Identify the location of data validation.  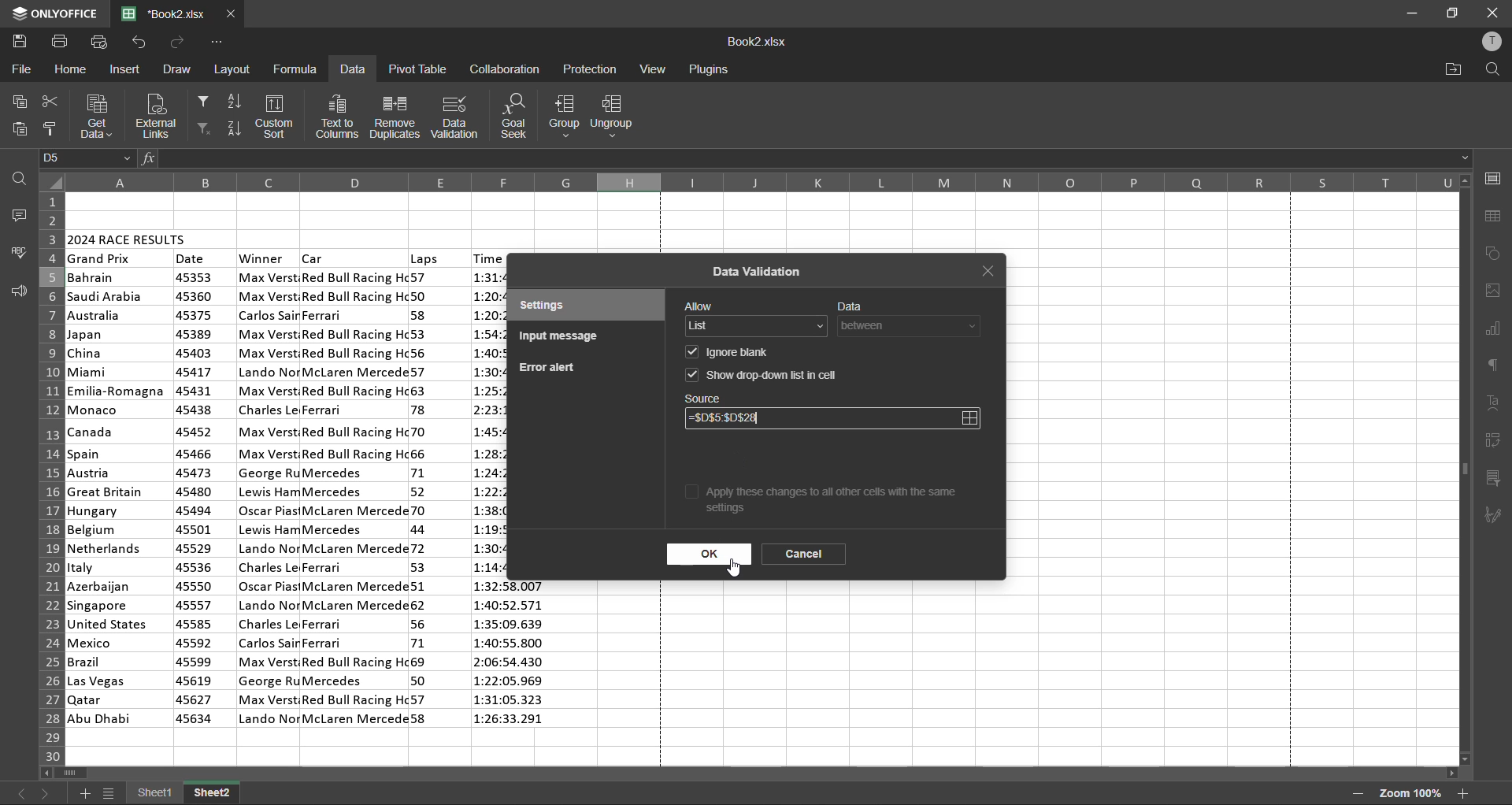
(759, 273).